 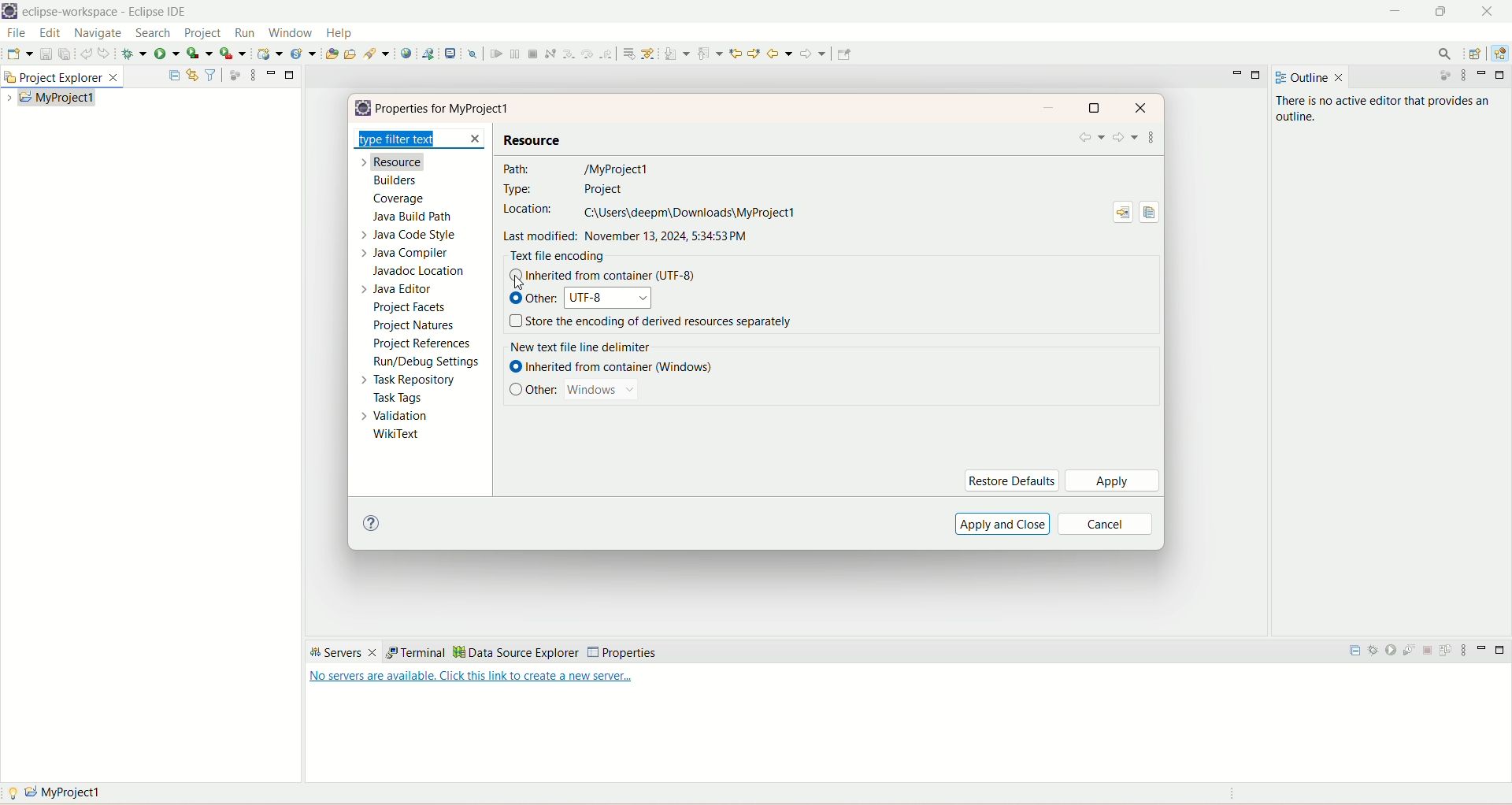 I want to click on open a web browser, so click(x=409, y=54).